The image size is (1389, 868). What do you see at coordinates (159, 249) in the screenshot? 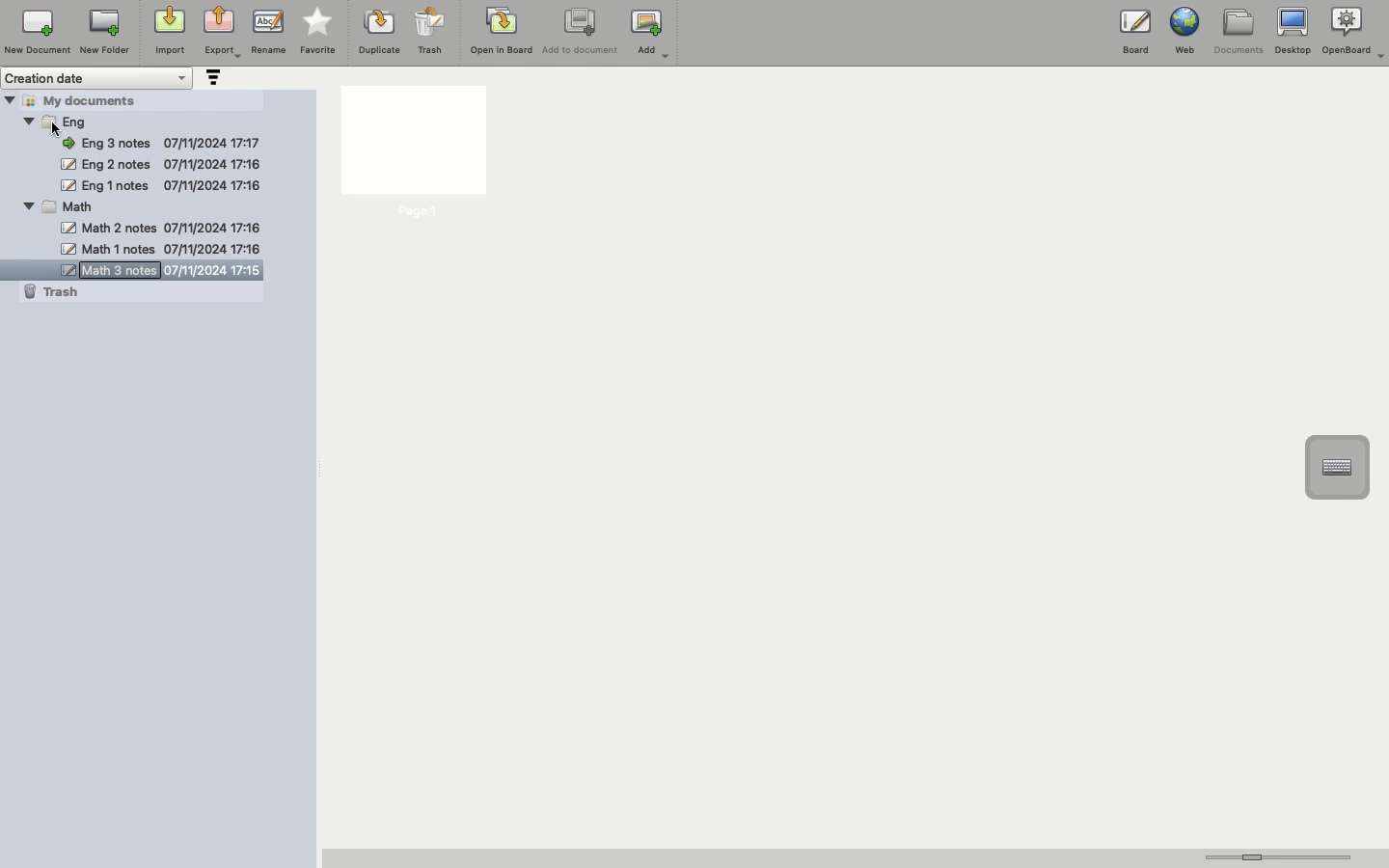
I see `math 1 notes` at bounding box center [159, 249].